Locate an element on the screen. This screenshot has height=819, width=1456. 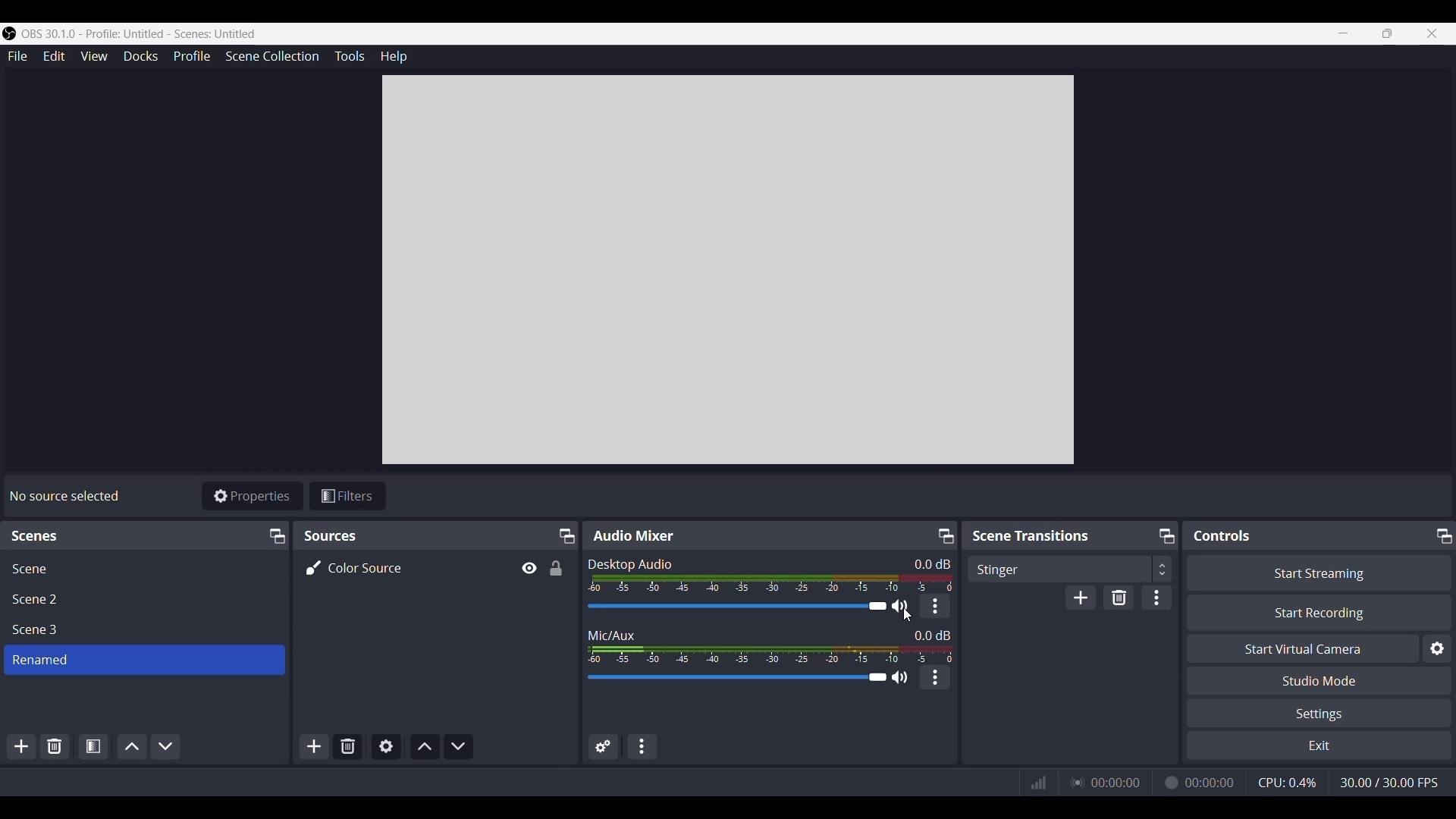
Audio Mixer is located at coordinates (636, 534).